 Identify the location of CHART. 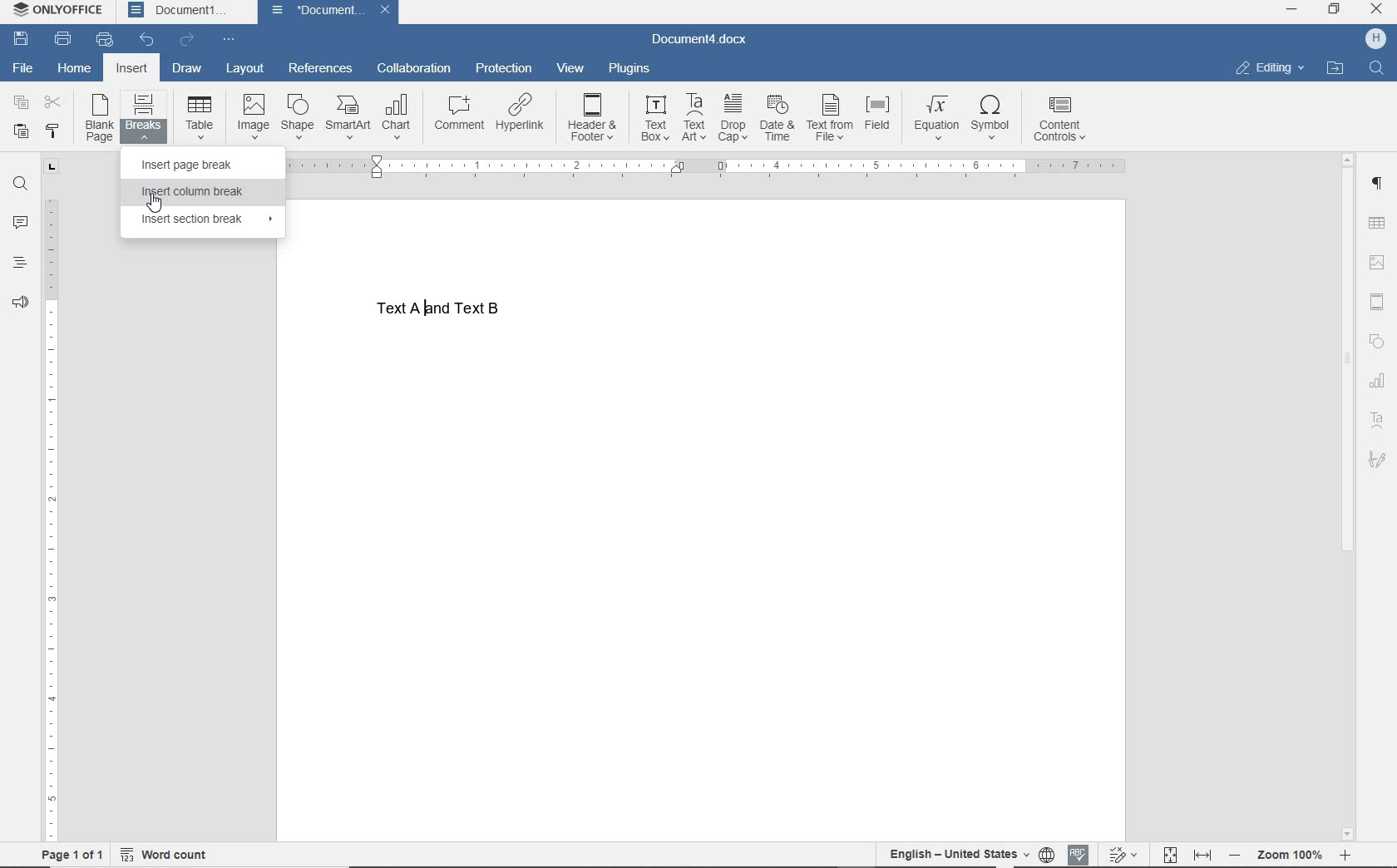
(1377, 380).